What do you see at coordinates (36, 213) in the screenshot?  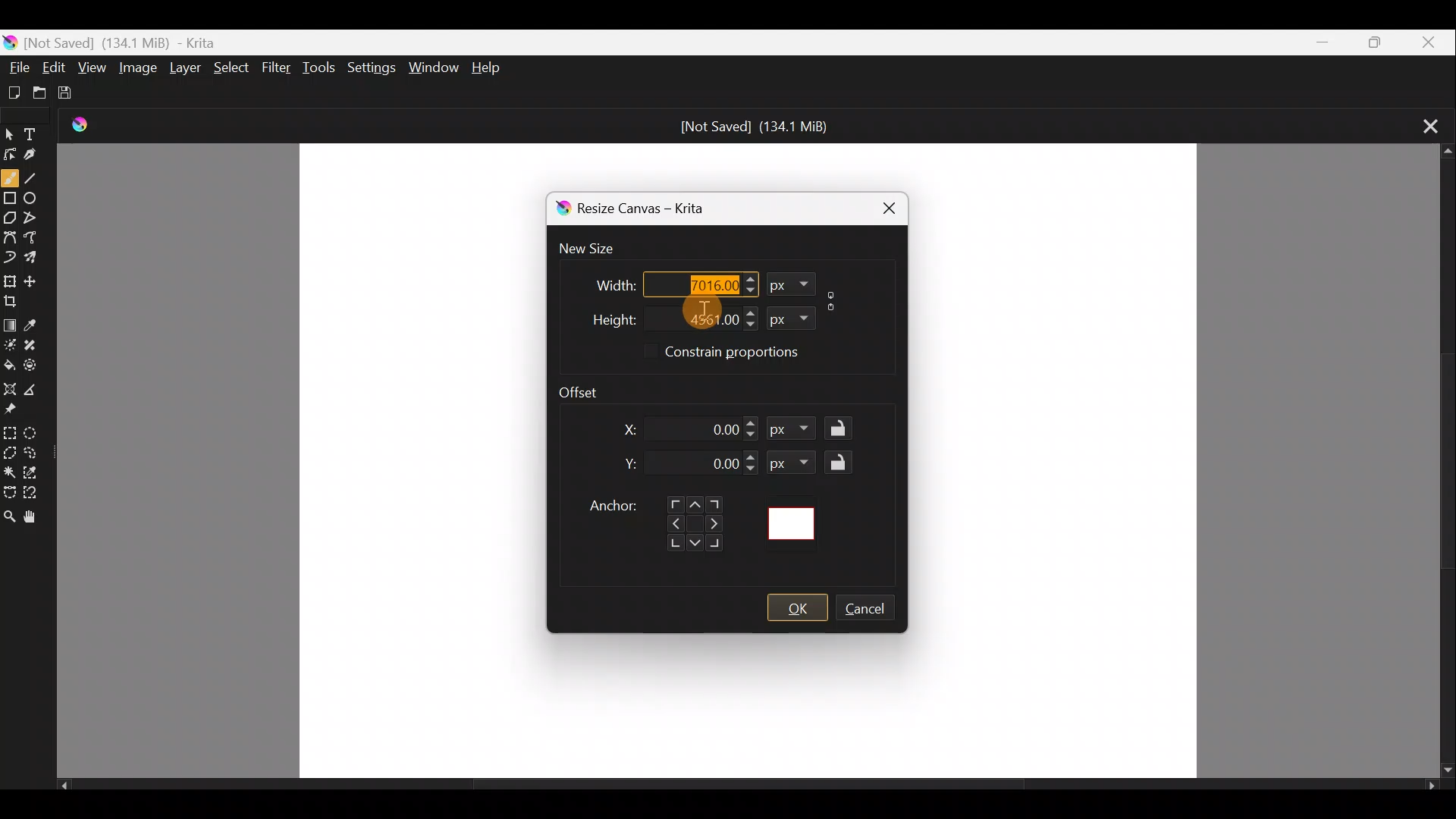 I see `Polyline tool` at bounding box center [36, 213].